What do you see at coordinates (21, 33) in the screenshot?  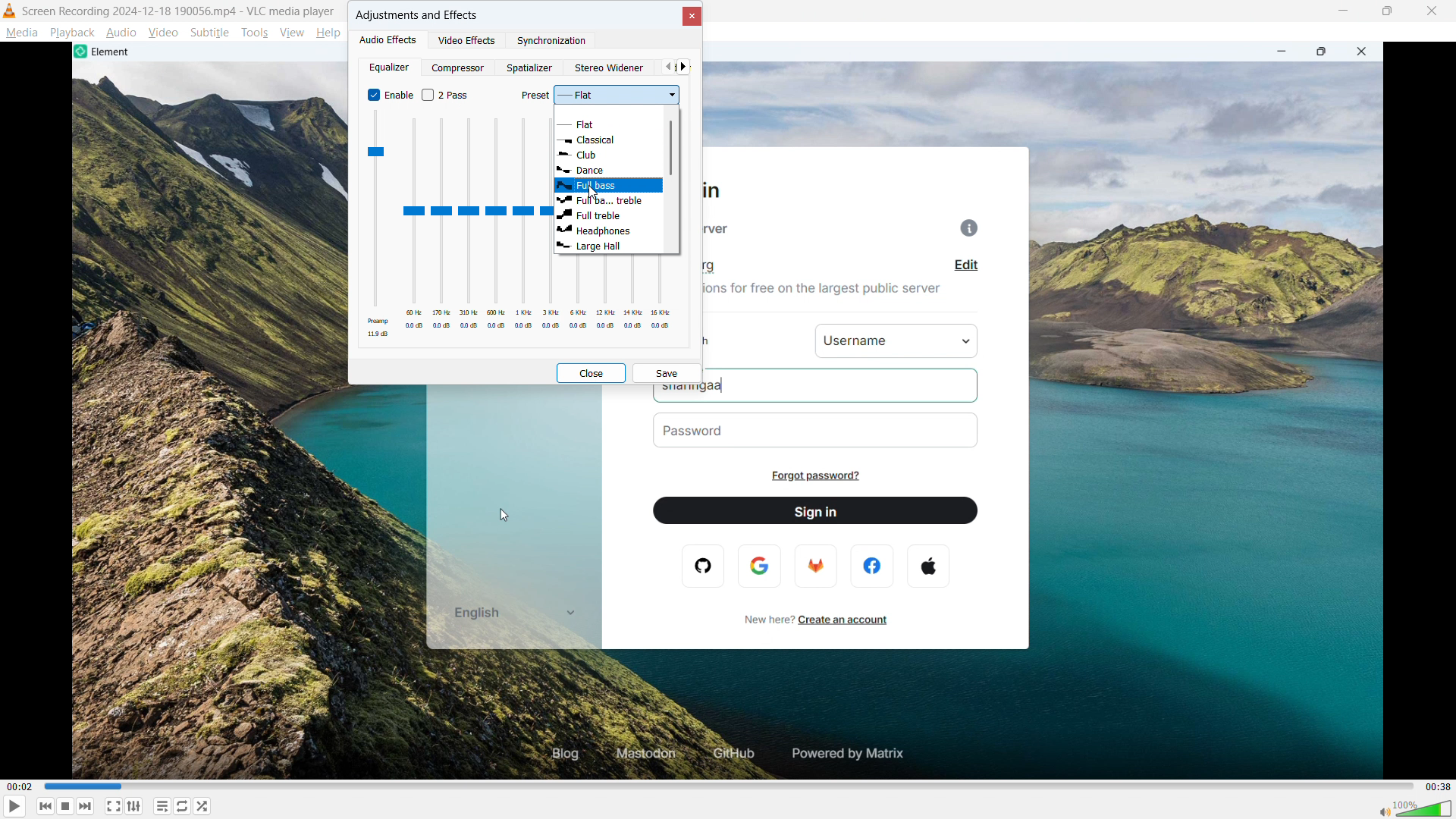 I see `Media ` at bounding box center [21, 33].